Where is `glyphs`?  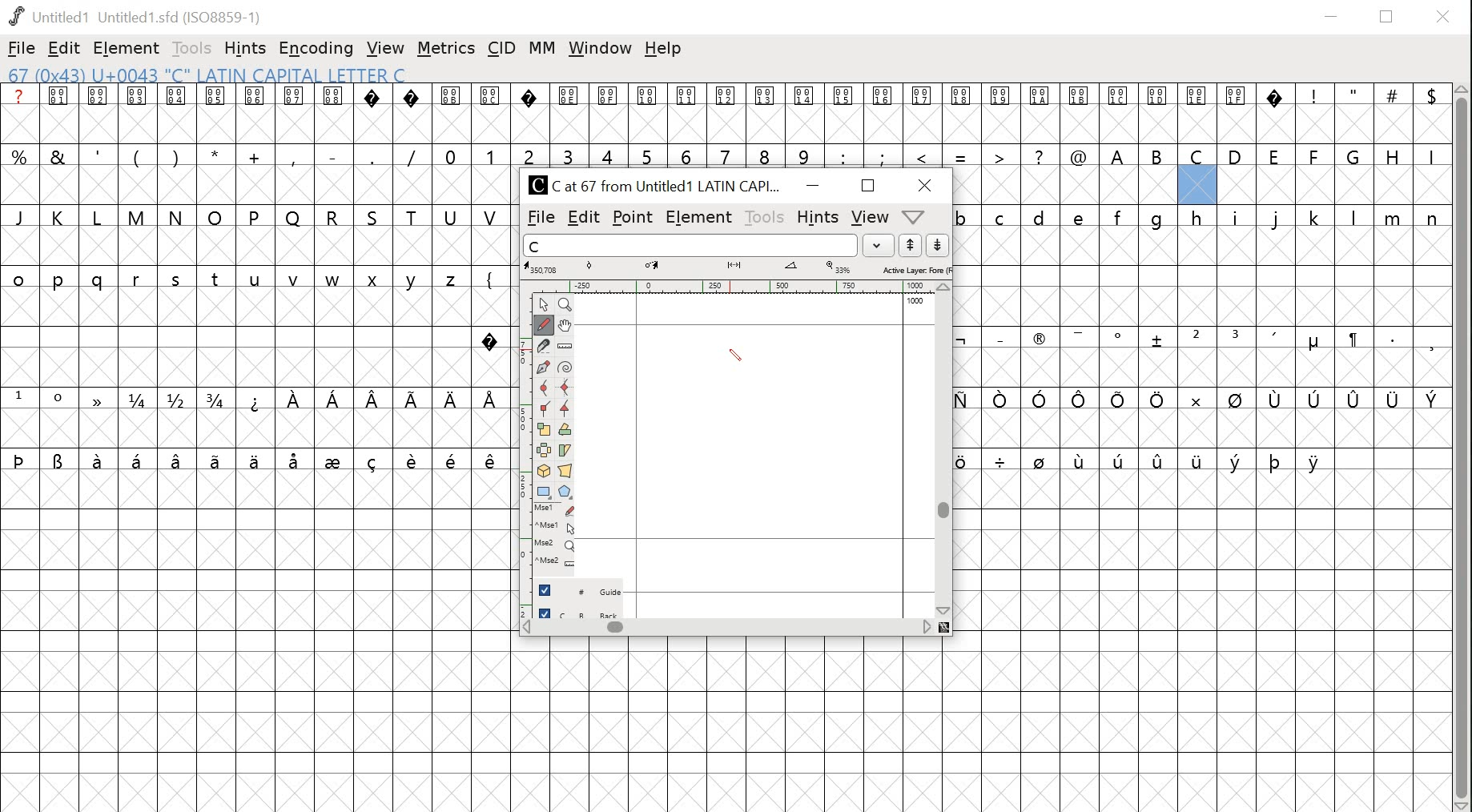
glyphs is located at coordinates (736, 125).